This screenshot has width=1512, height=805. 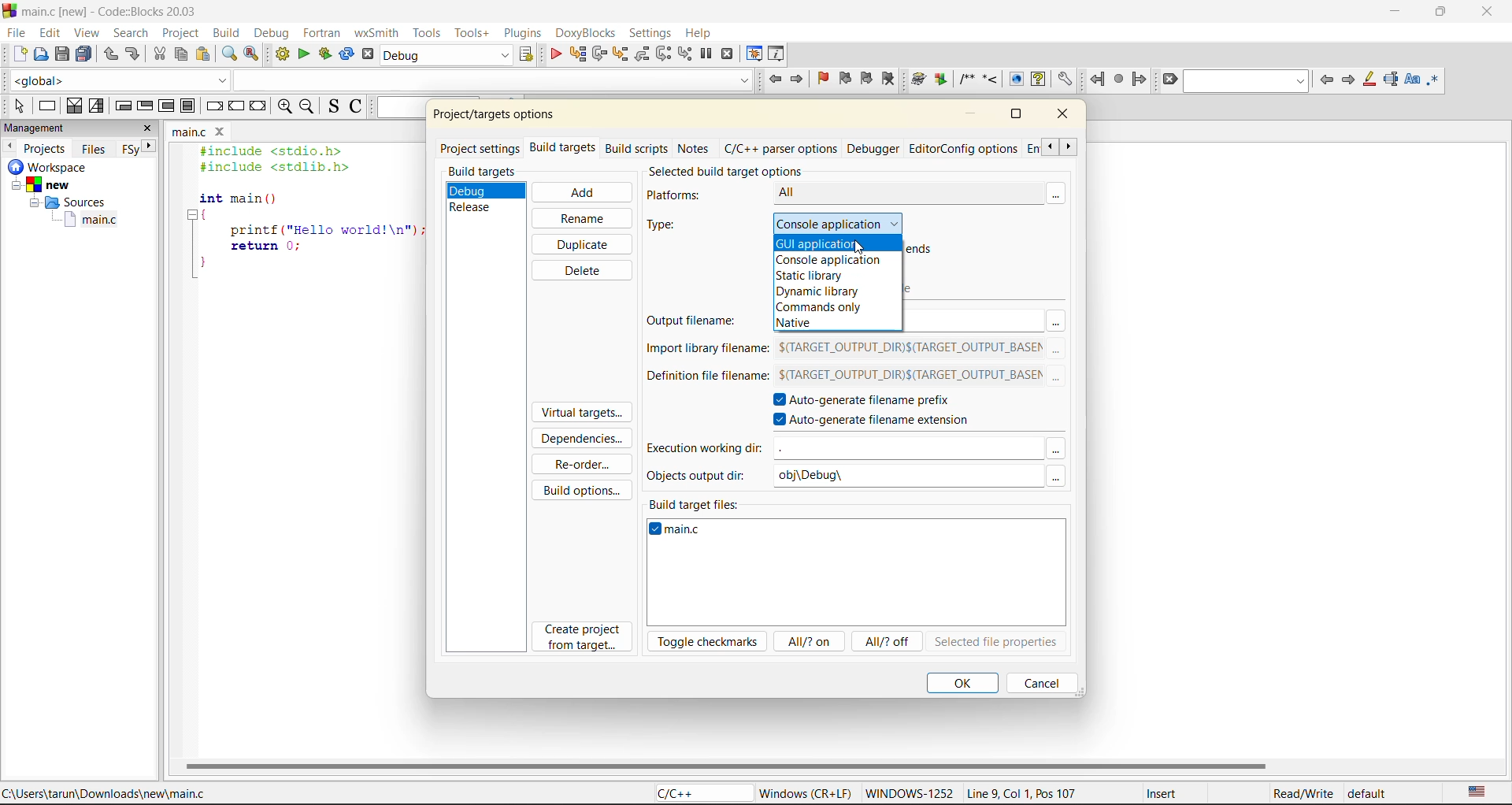 I want to click on gui application, so click(x=836, y=242).